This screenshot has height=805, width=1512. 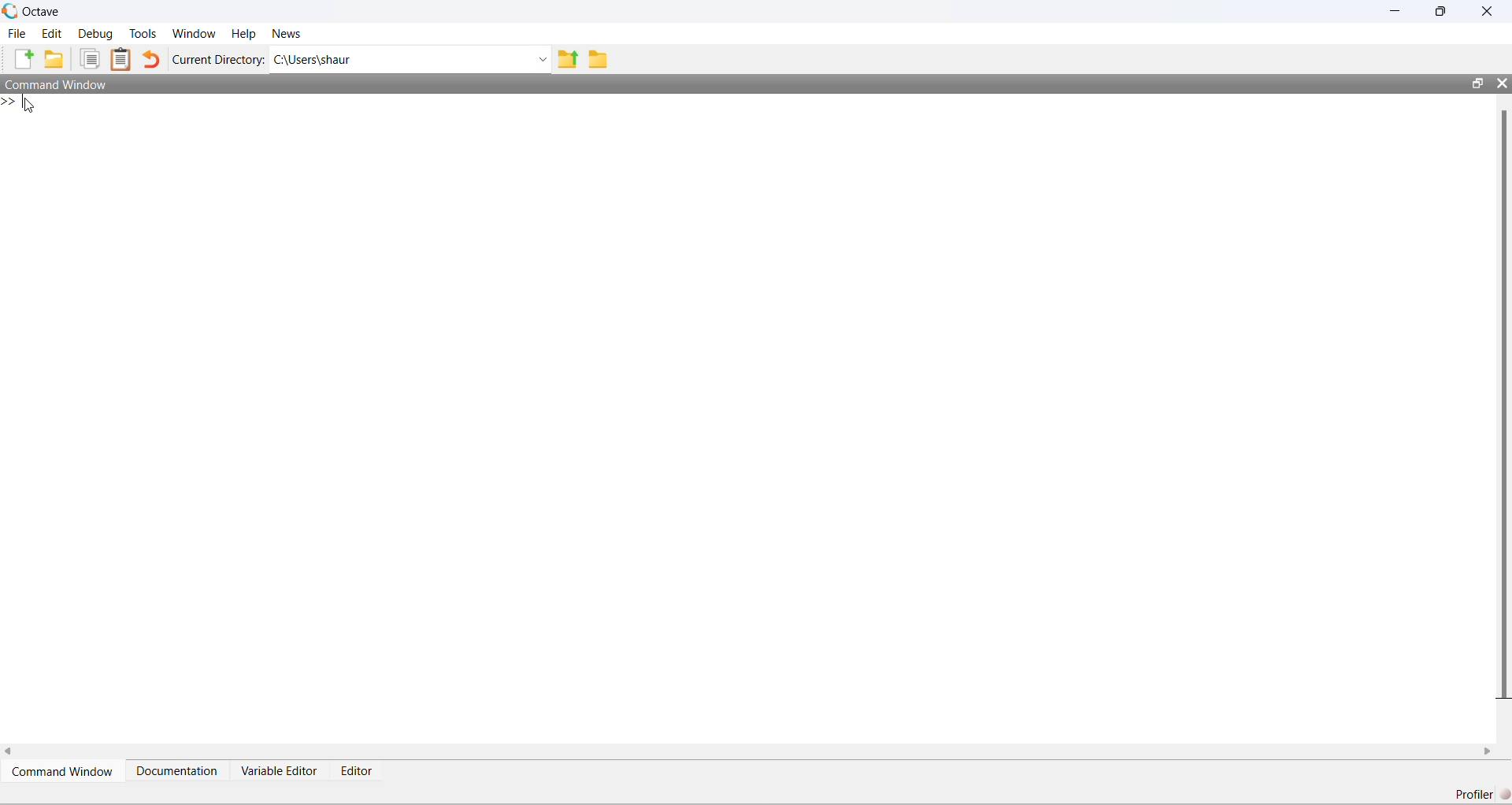 I want to click on horizontal scroll bar, so click(x=749, y=751).